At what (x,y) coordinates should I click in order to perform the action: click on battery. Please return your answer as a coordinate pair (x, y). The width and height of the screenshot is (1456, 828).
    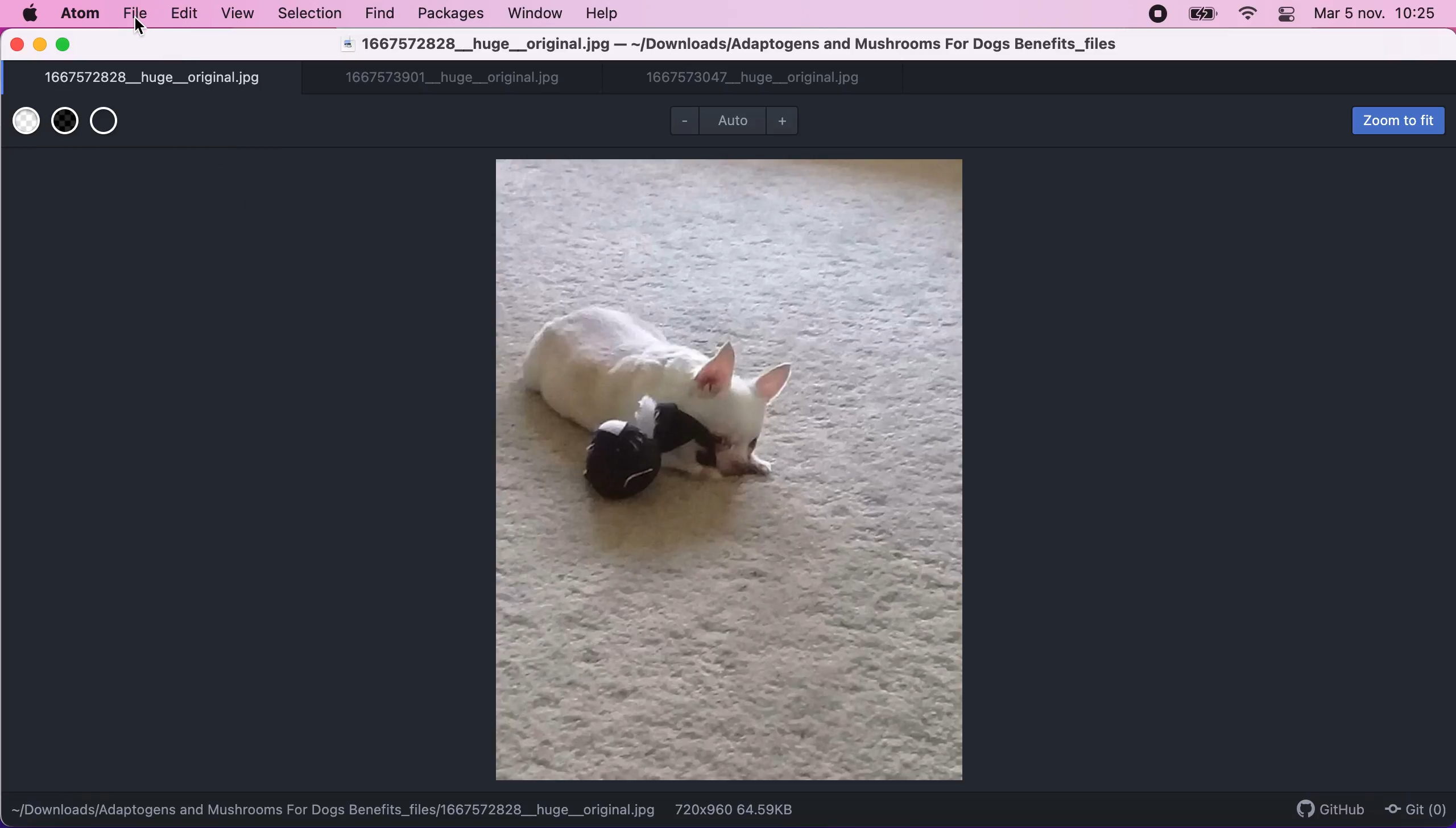
    Looking at the image, I should click on (1200, 16).